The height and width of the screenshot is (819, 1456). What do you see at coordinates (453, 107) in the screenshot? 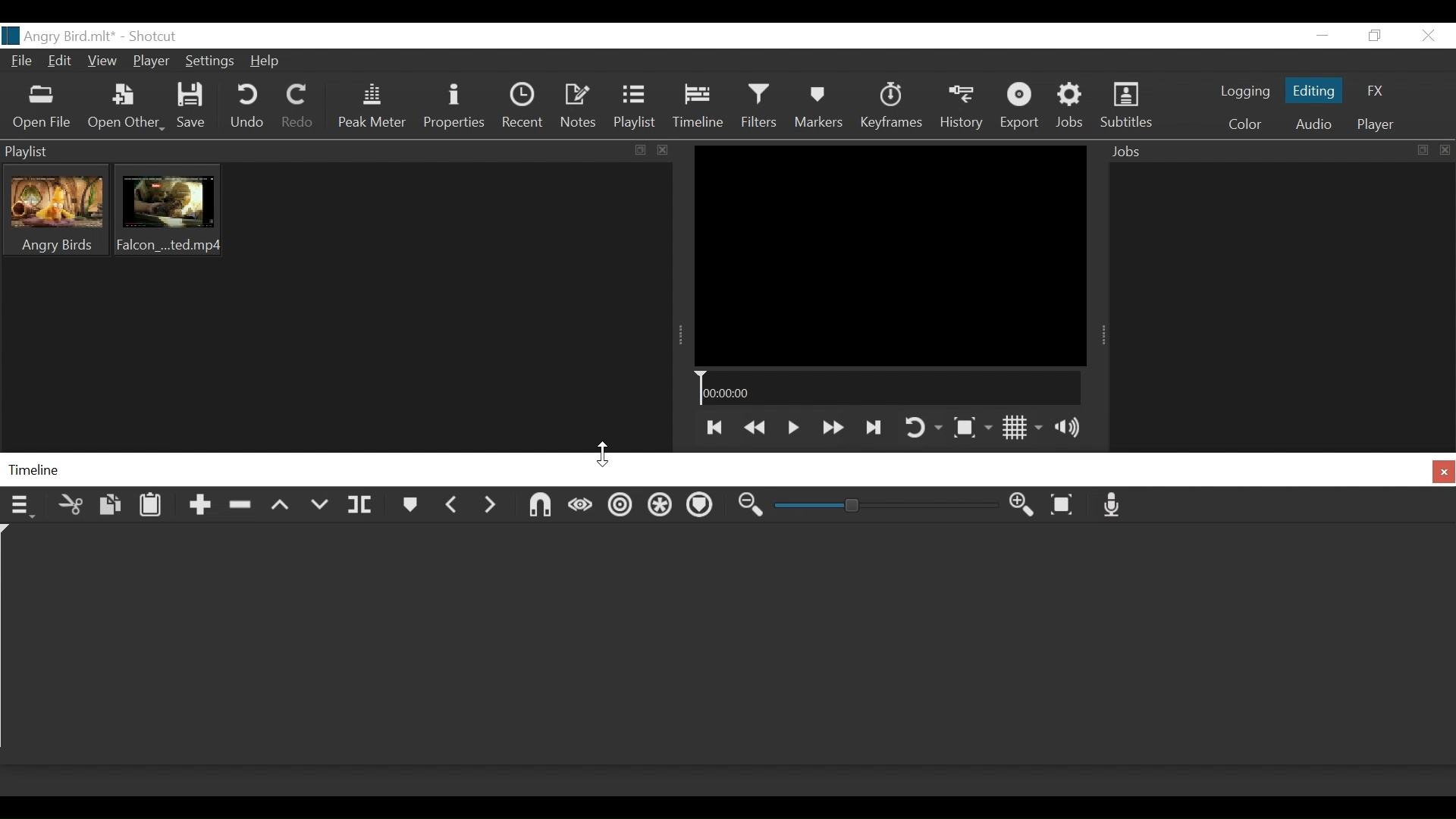
I see `Properties` at bounding box center [453, 107].